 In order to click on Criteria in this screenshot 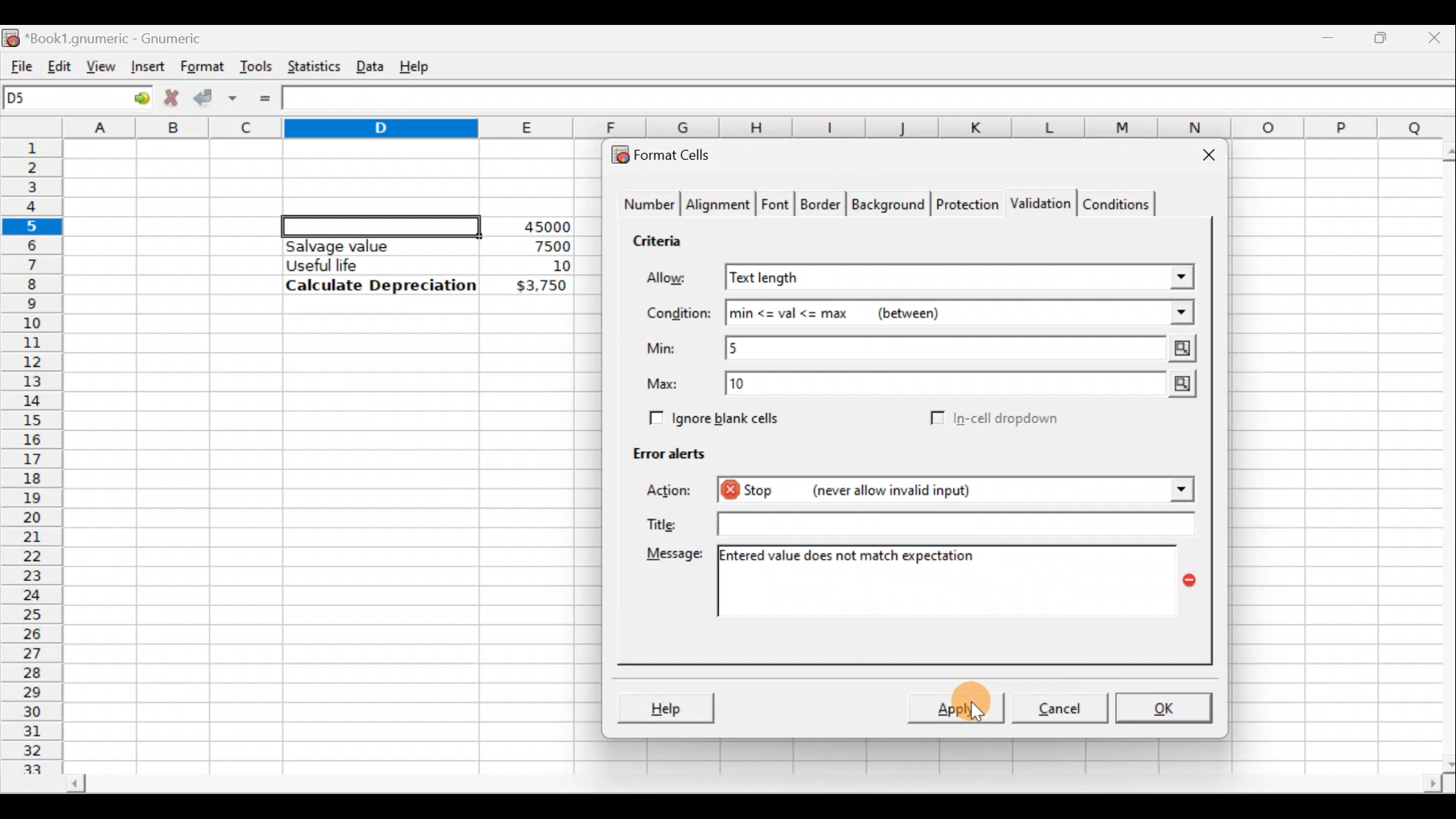, I will do `click(663, 238)`.